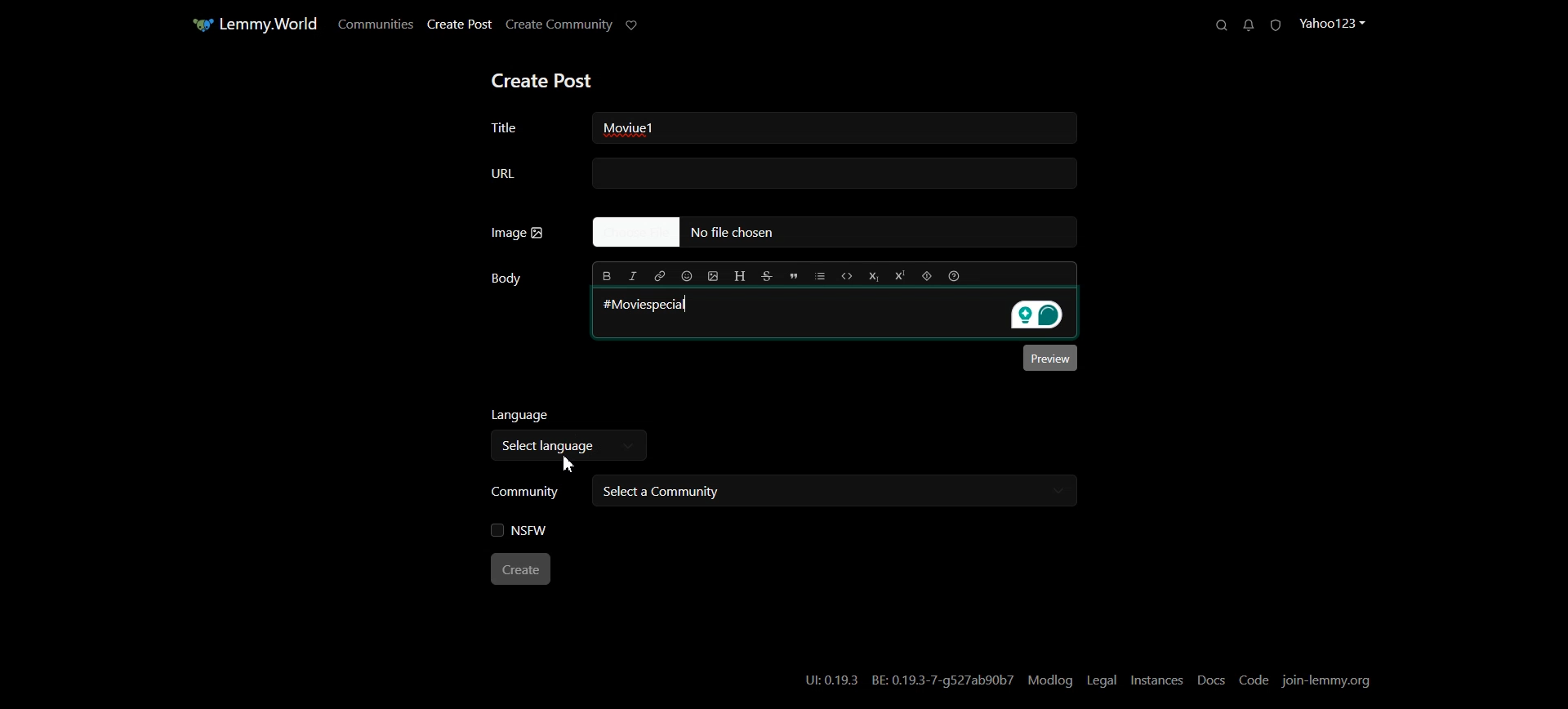 Image resolution: width=1568 pixels, height=709 pixels. I want to click on Superscript, so click(900, 275).